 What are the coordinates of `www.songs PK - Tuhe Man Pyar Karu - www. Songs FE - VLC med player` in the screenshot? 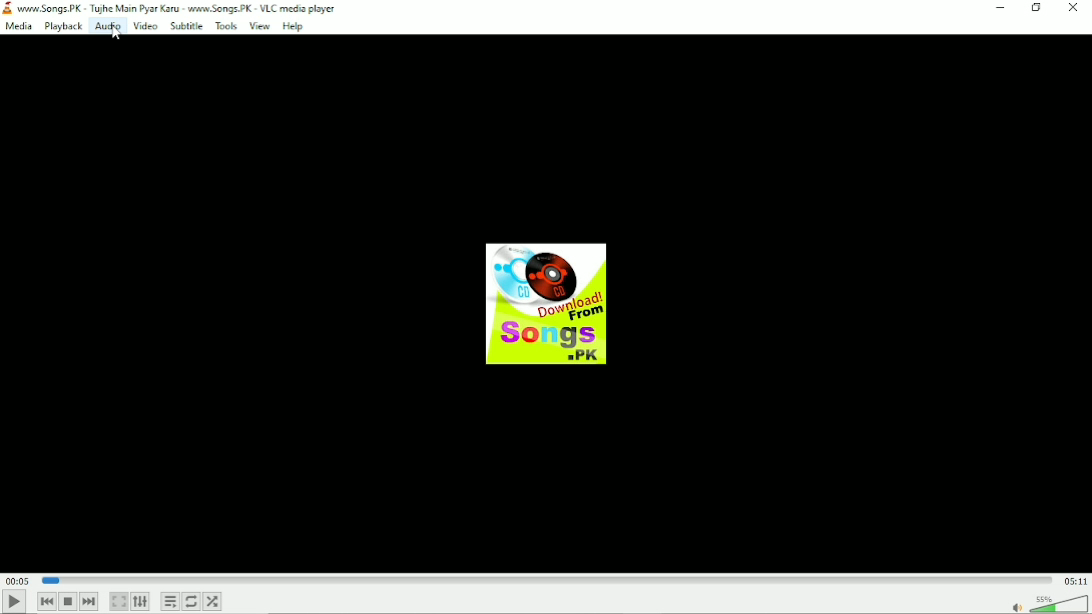 It's located at (186, 7).